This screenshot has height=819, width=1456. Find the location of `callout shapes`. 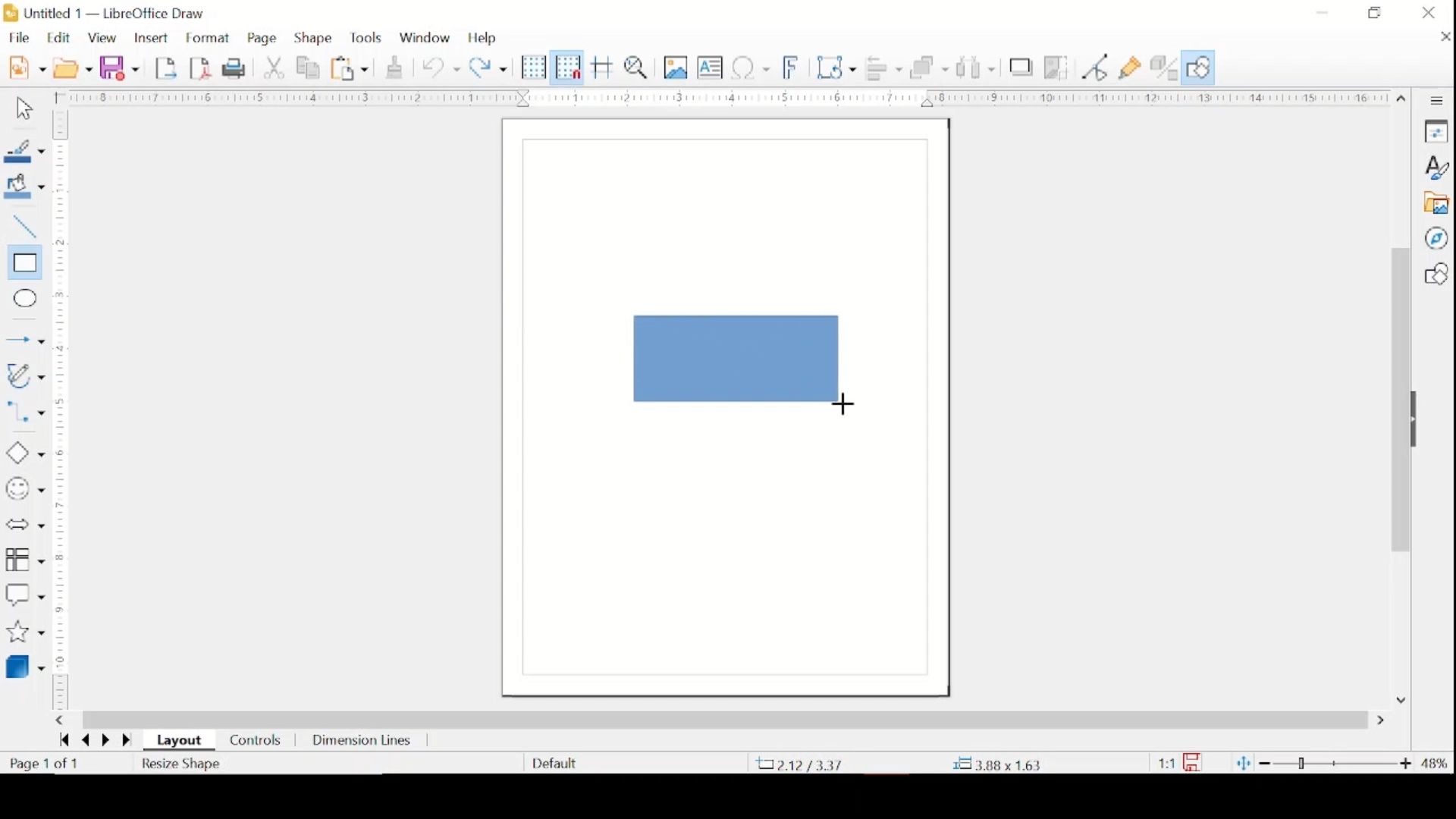

callout shapes is located at coordinates (25, 595).